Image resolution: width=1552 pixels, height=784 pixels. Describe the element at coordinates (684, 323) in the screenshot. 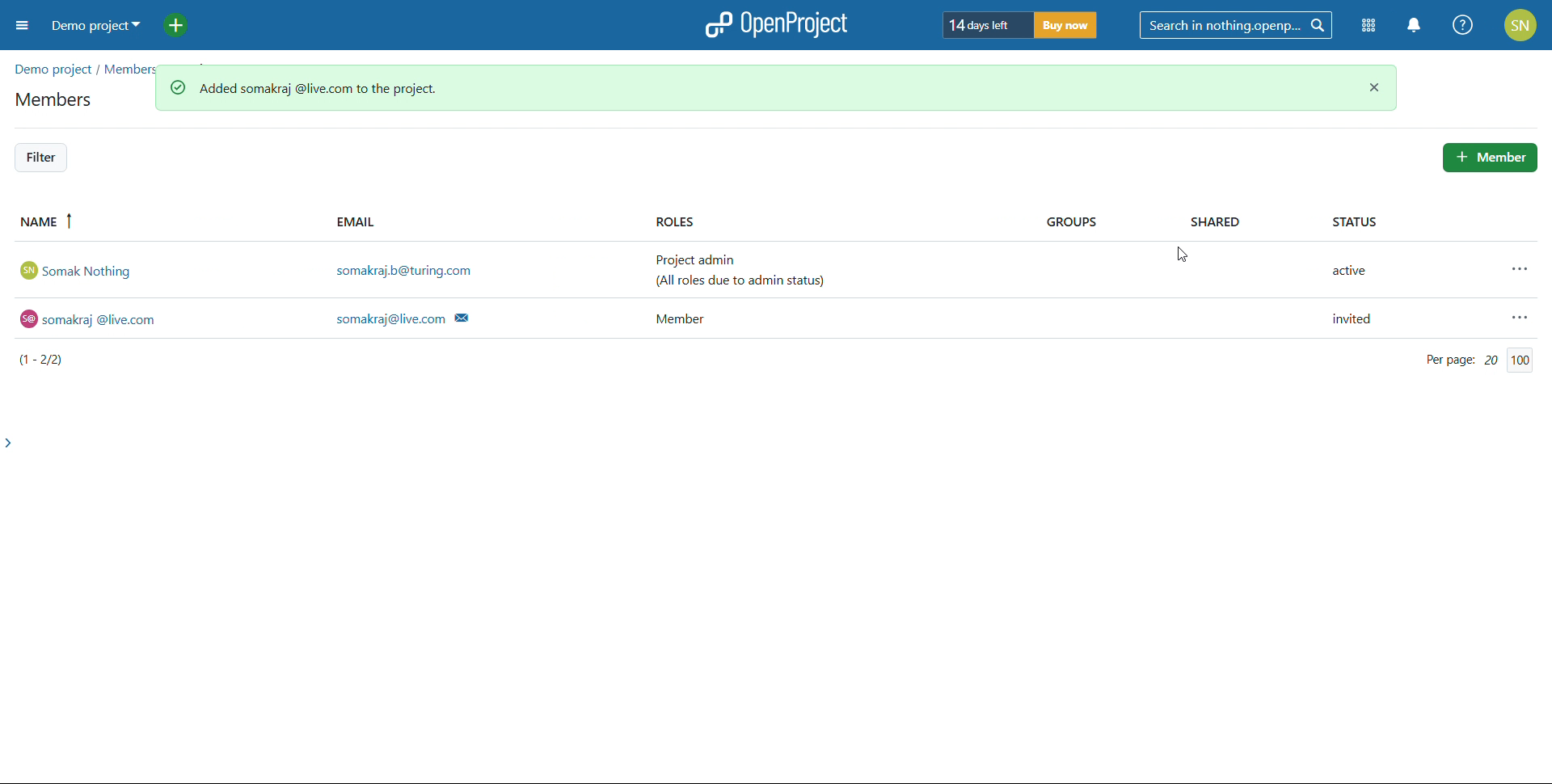

I see ` Member` at that location.